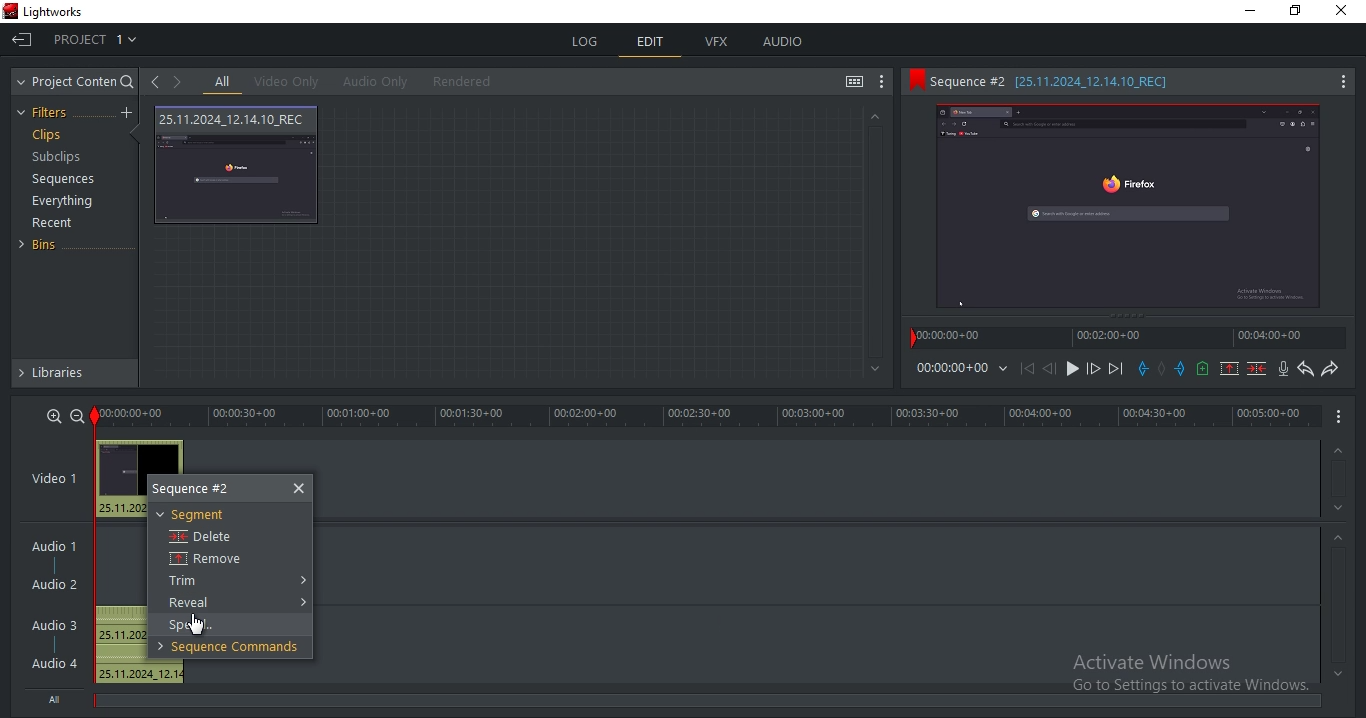 This screenshot has width=1366, height=718. What do you see at coordinates (238, 166) in the screenshot?
I see `video` at bounding box center [238, 166].